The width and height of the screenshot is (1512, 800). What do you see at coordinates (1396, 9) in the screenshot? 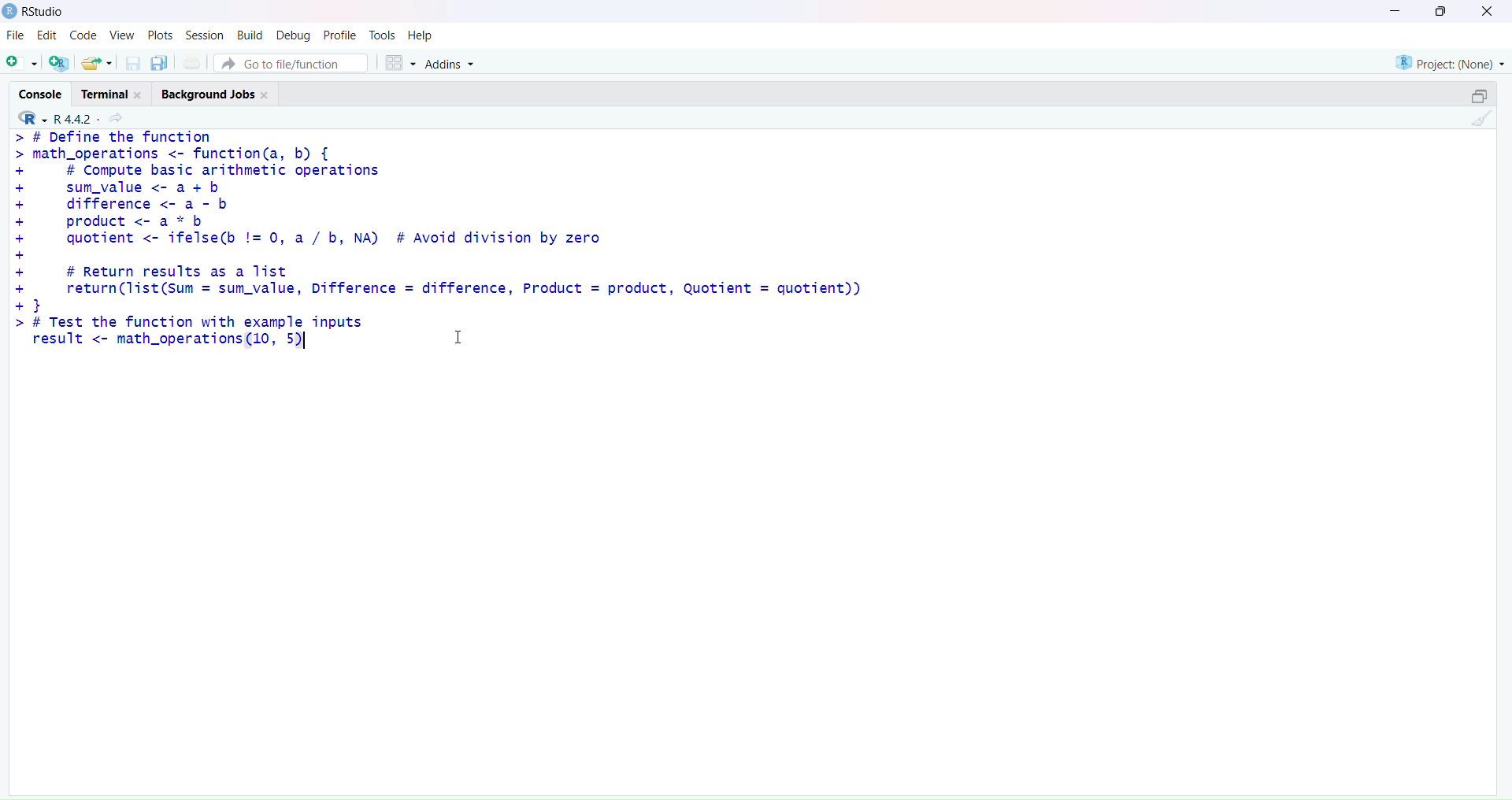
I see `Minimize` at bounding box center [1396, 9].